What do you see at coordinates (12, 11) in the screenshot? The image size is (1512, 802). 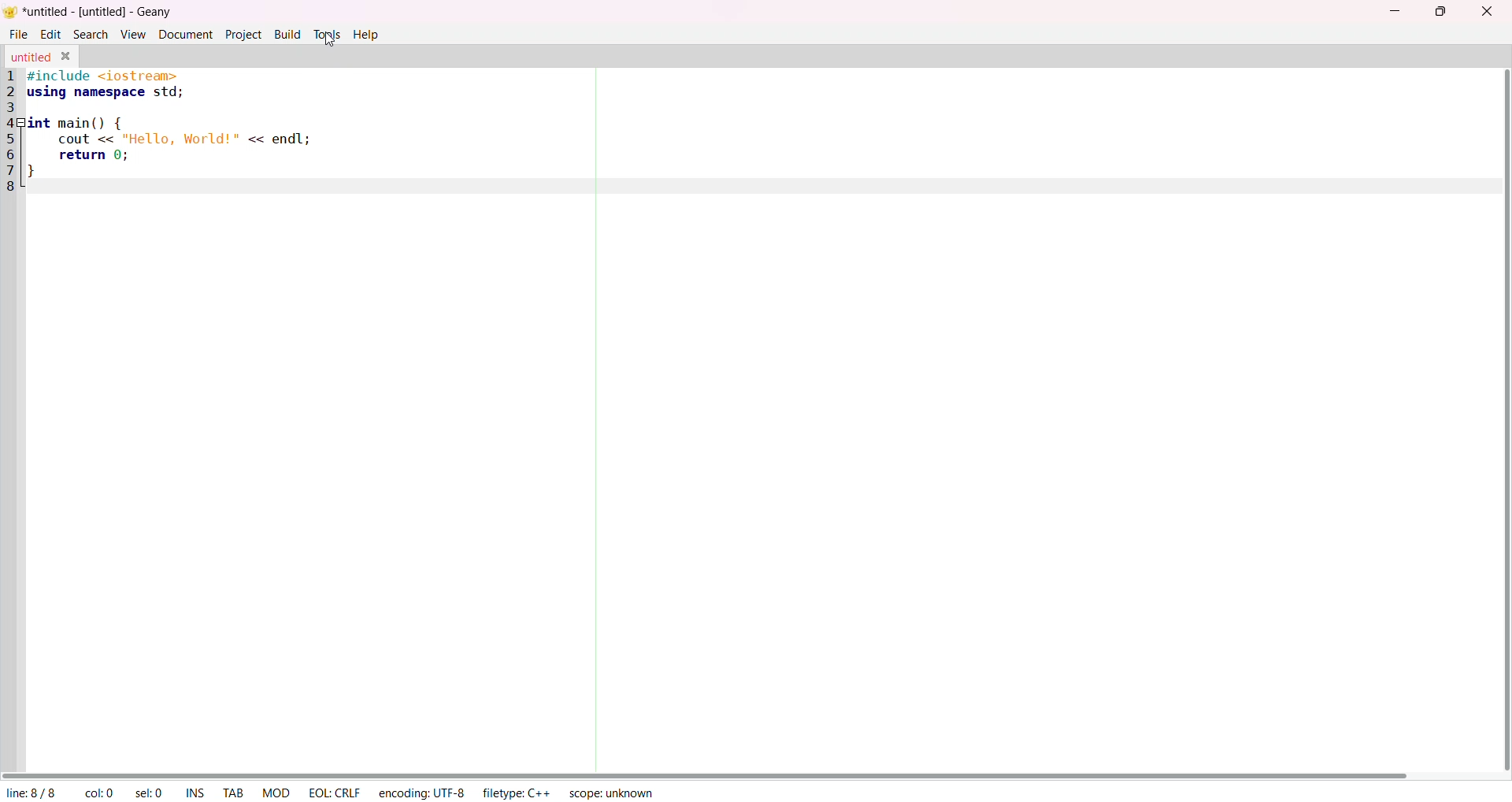 I see `logo` at bounding box center [12, 11].